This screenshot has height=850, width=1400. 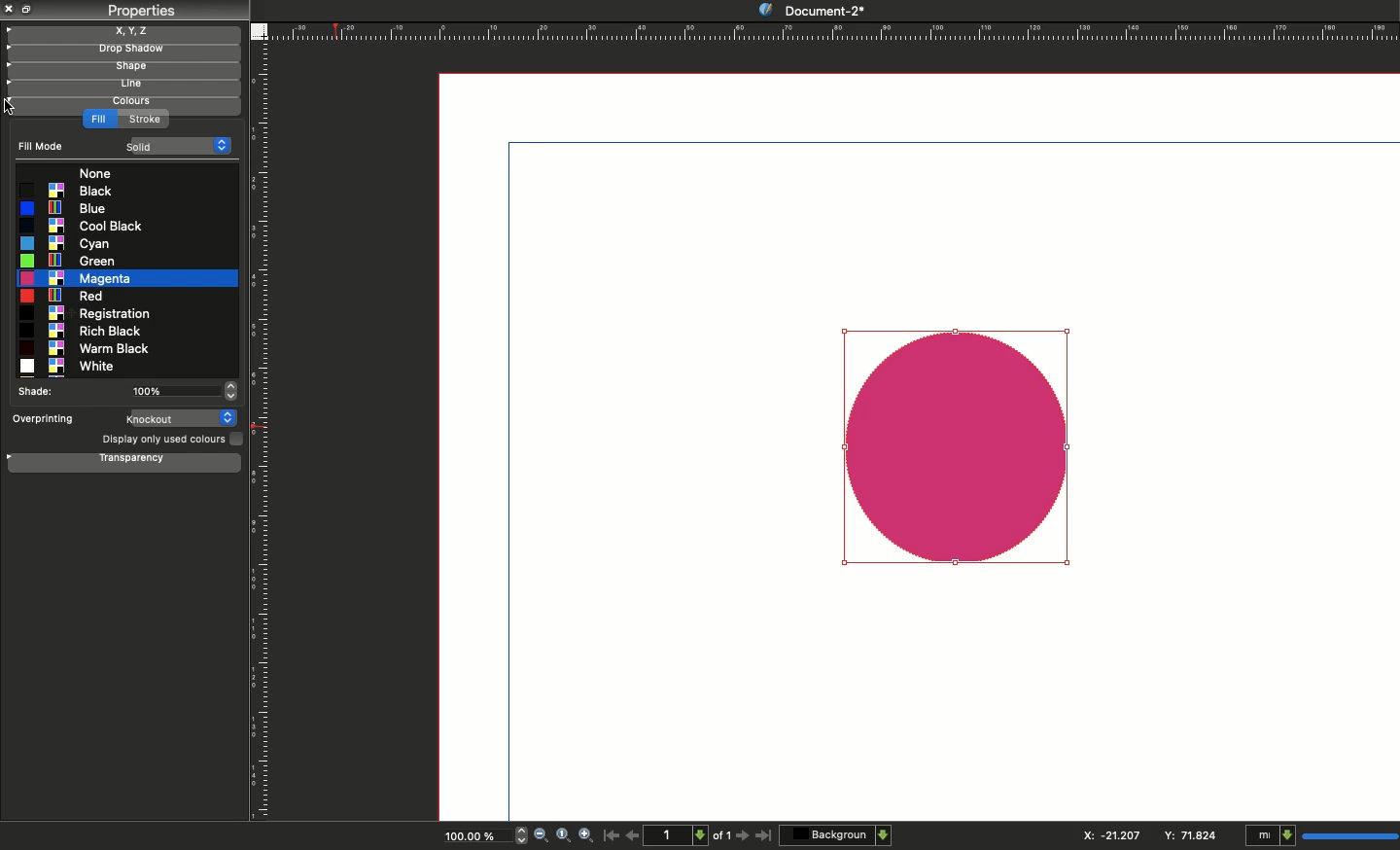 I want to click on Registration, so click(x=91, y=312).